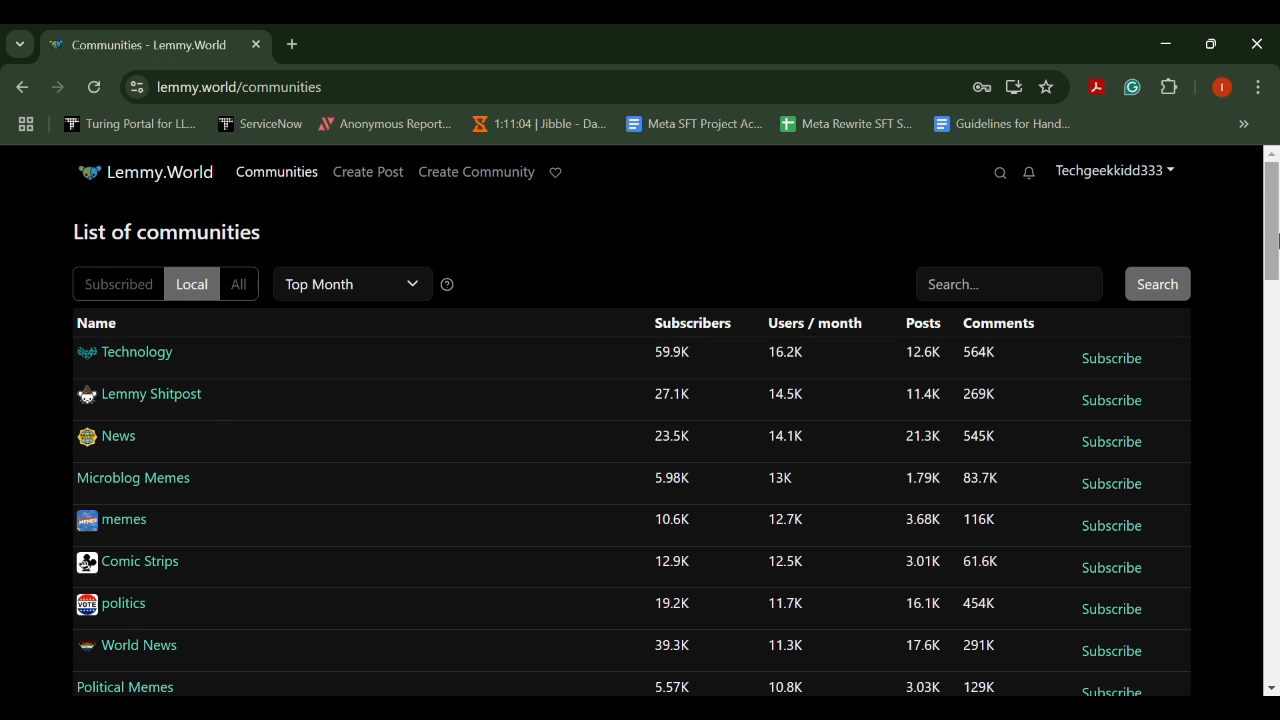 Image resolution: width=1280 pixels, height=720 pixels. What do you see at coordinates (277, 171) in the screenshot?
I see `Communities` at bounding box center [277, 171].